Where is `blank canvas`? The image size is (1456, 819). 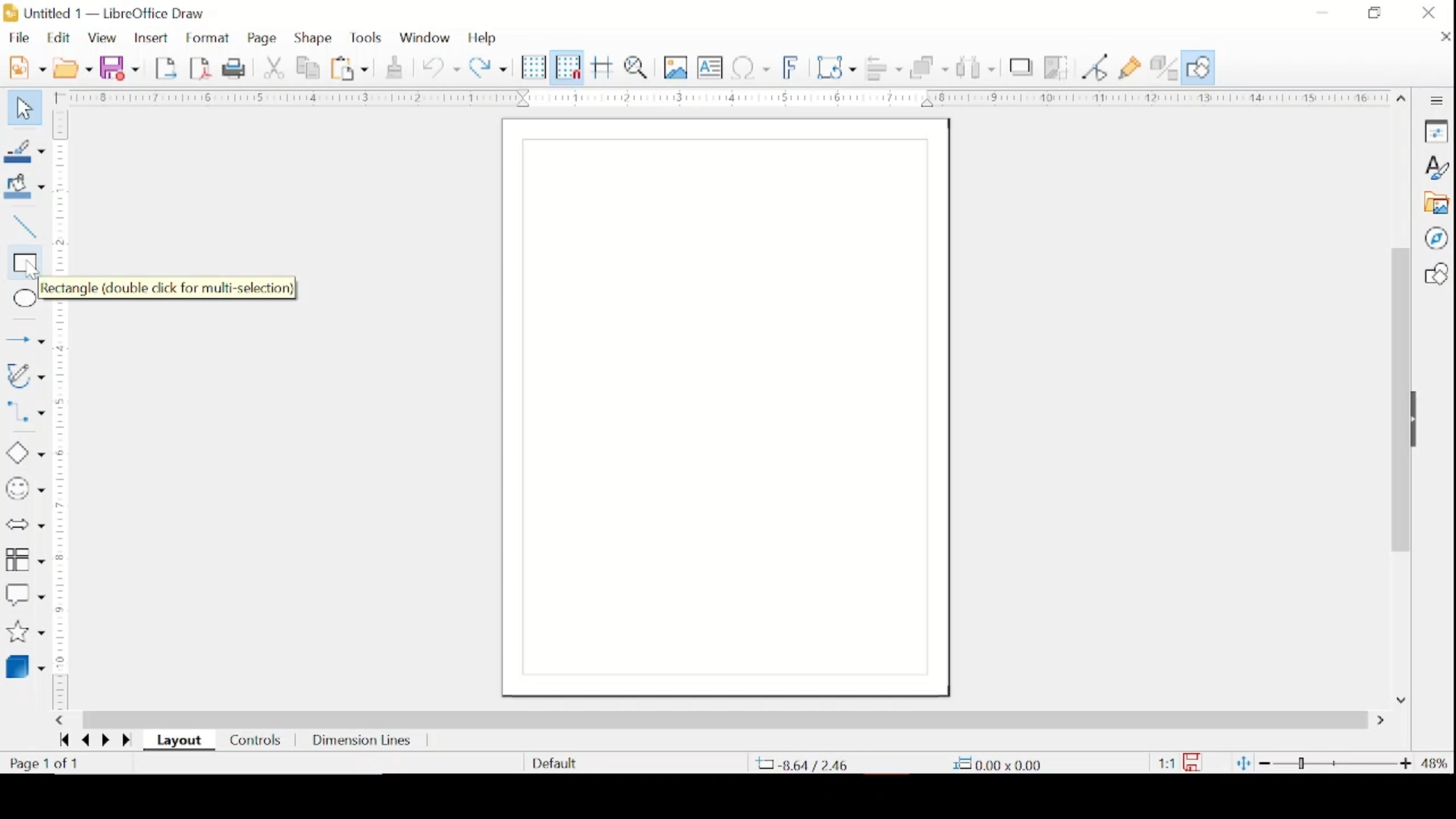 blank canvas is located at coordinates (726, 407).